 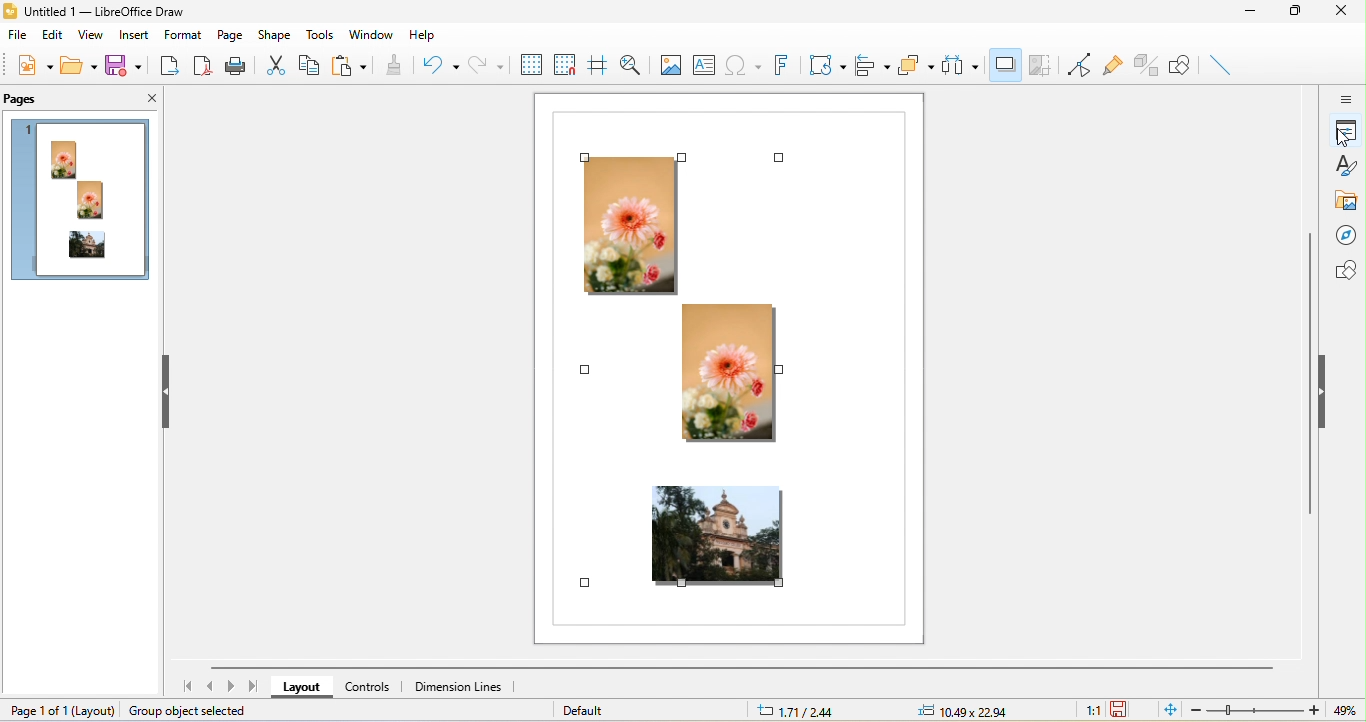 I want to click on view, so click(x=92, y=37).